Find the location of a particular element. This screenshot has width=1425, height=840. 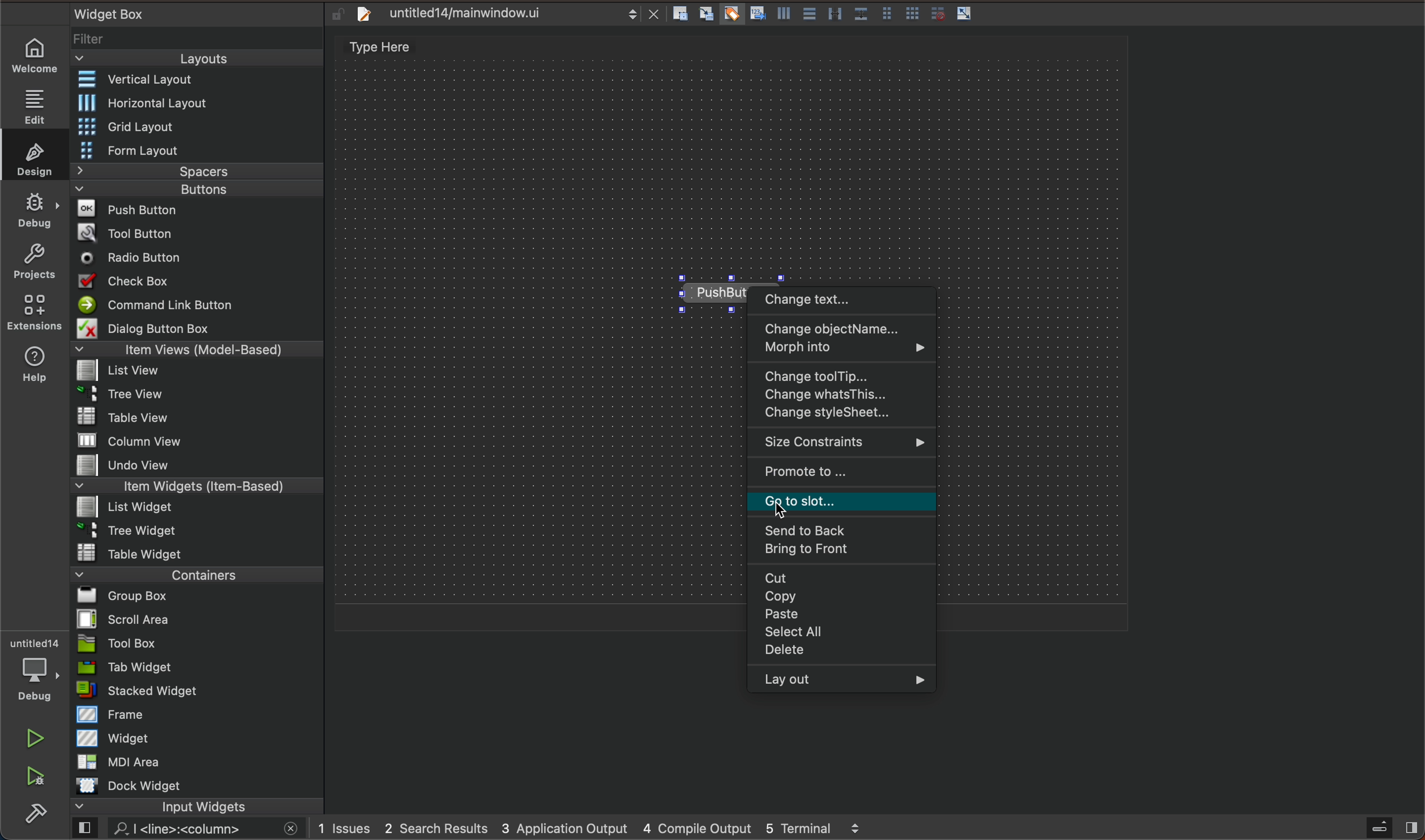

 is located at coordinates (786, 13).